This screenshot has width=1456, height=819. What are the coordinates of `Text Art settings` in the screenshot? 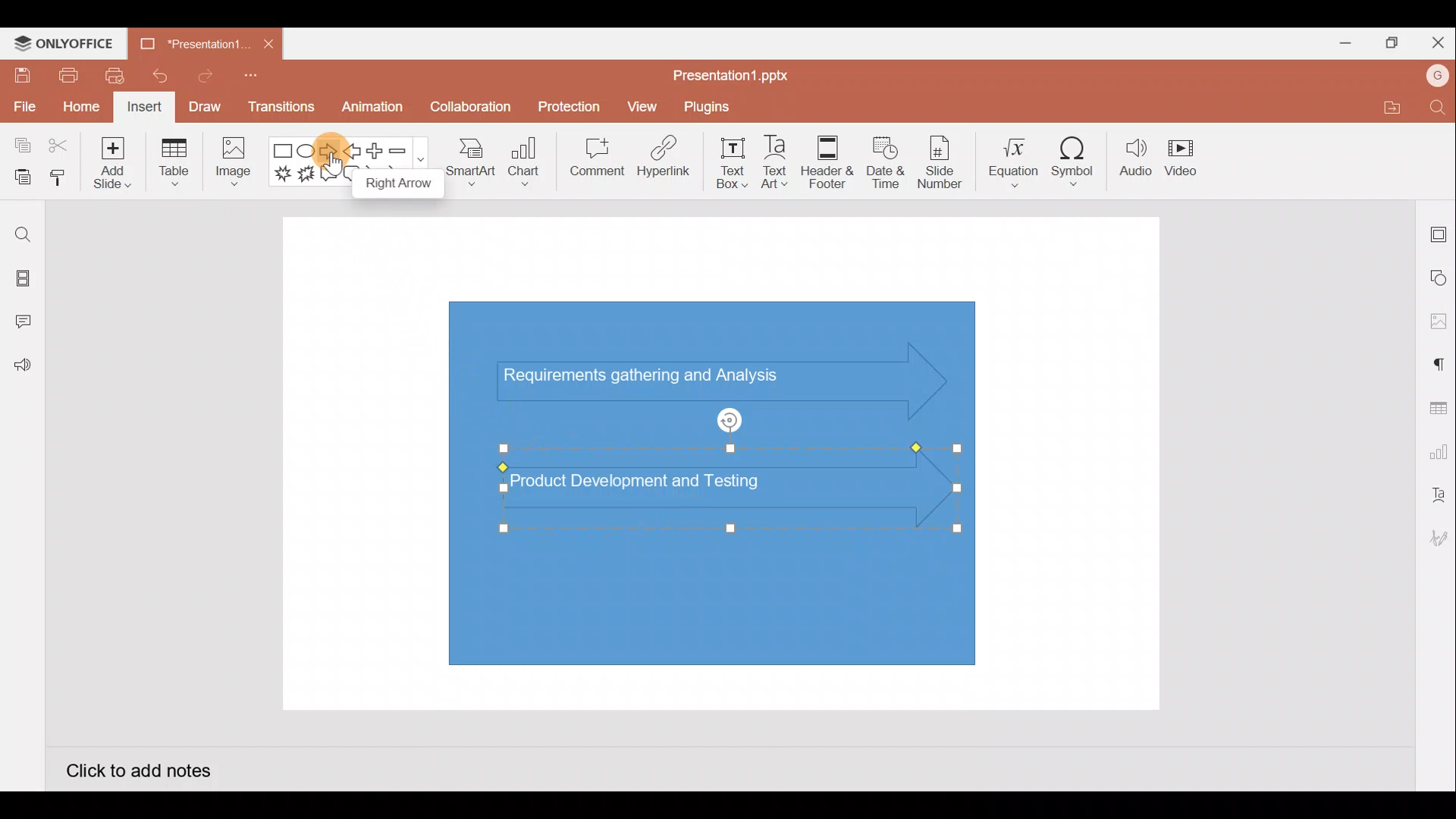 It's located at (1437, 495).